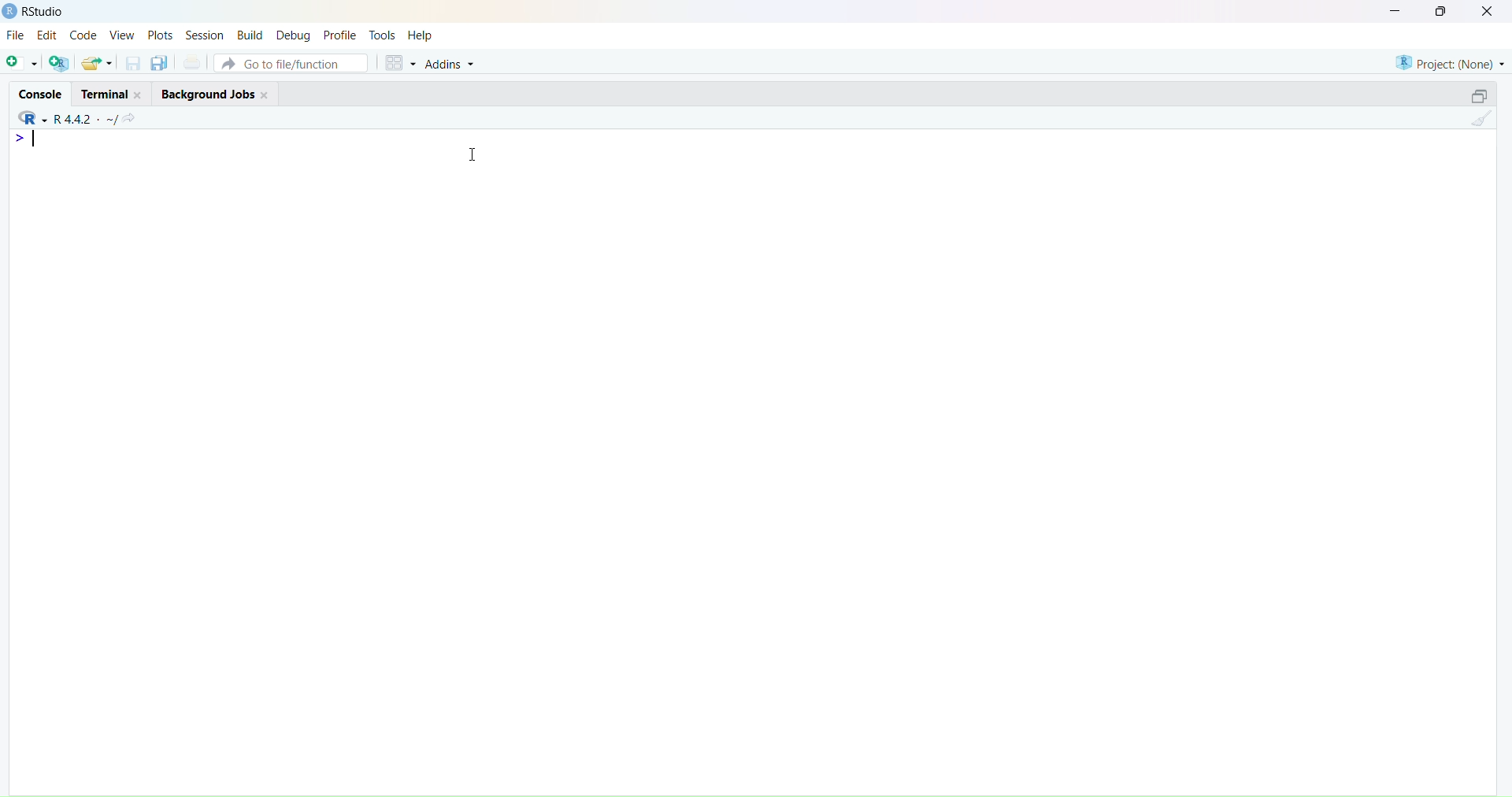 This screenshot has width=1512, height=797. What do you see at coordinates (16, 34) in the screenshot?
I see `file` at bounding box center [16, 34].